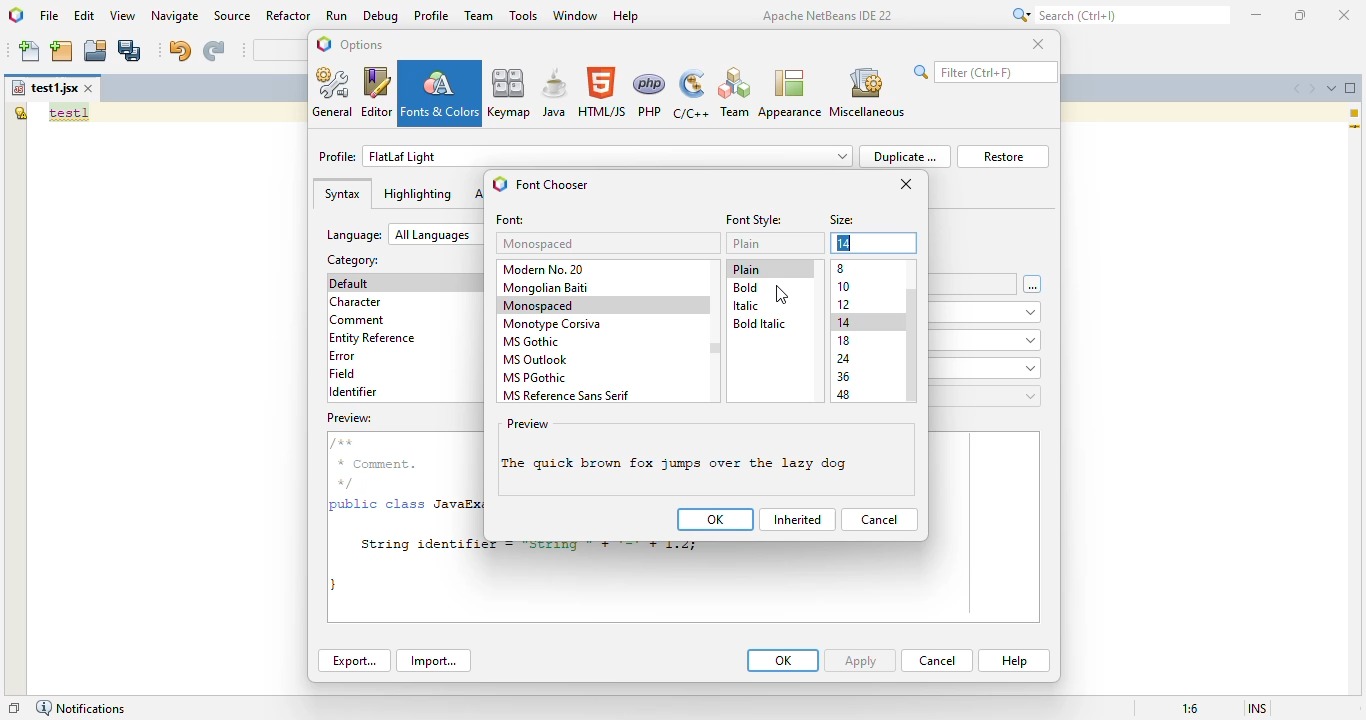  Describe the element at coordinates (552, 185) in the screenshot. I see `font chooser` at that location.